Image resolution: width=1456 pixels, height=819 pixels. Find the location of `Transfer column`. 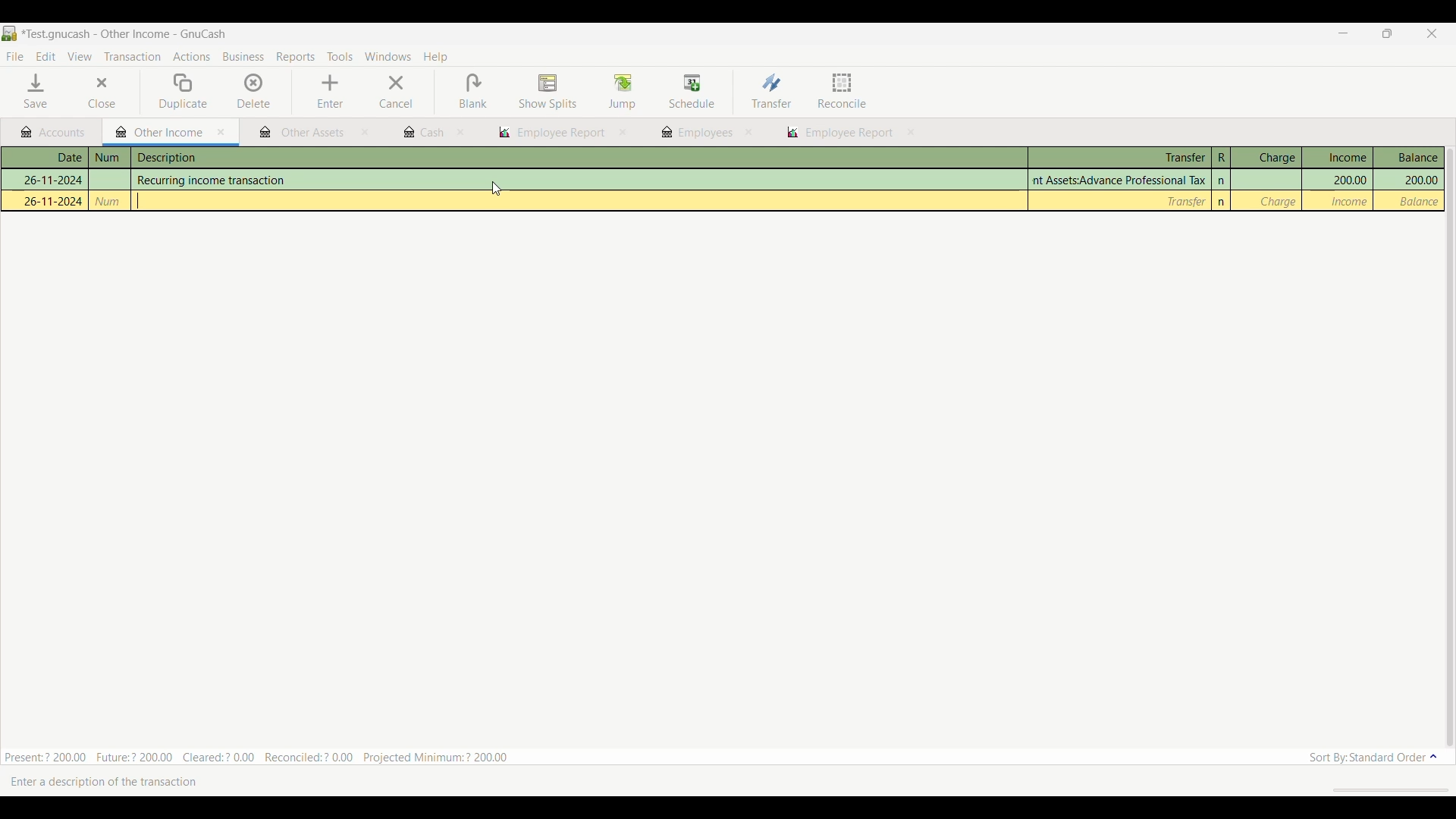

Transfer column is located at coordinates (1119, 155).